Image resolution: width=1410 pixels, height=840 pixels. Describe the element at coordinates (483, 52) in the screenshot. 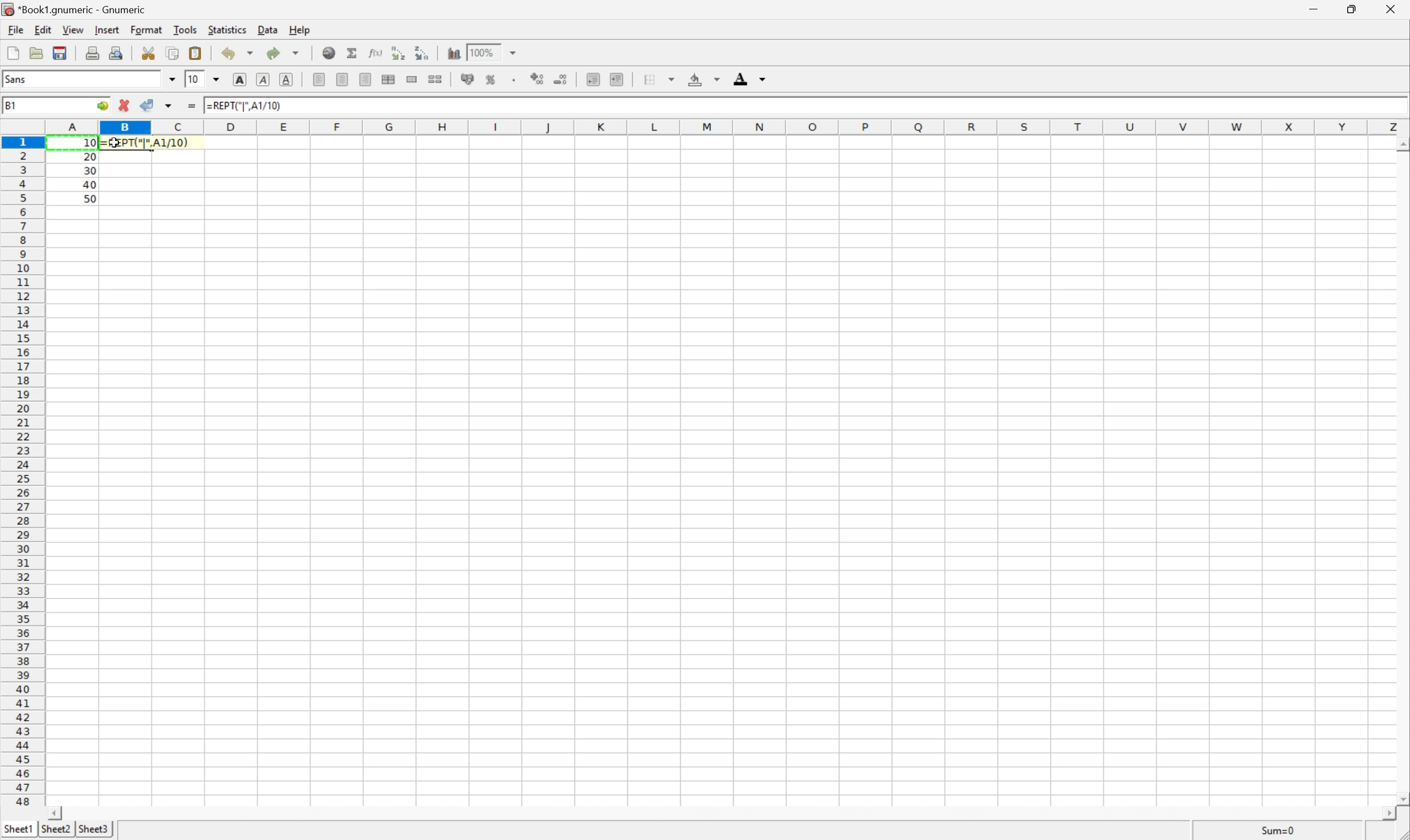

I see `100%` at that location.